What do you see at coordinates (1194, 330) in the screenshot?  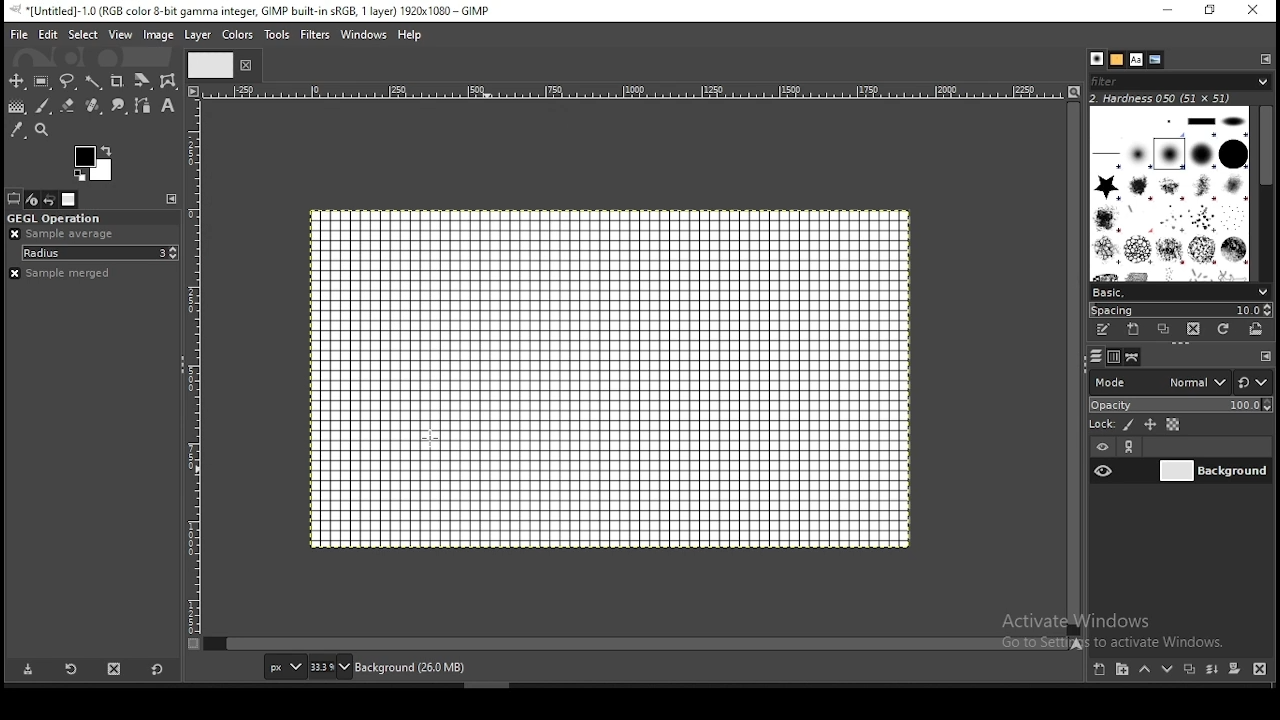 I see `delete brush` at bounding box center [1194, 330].